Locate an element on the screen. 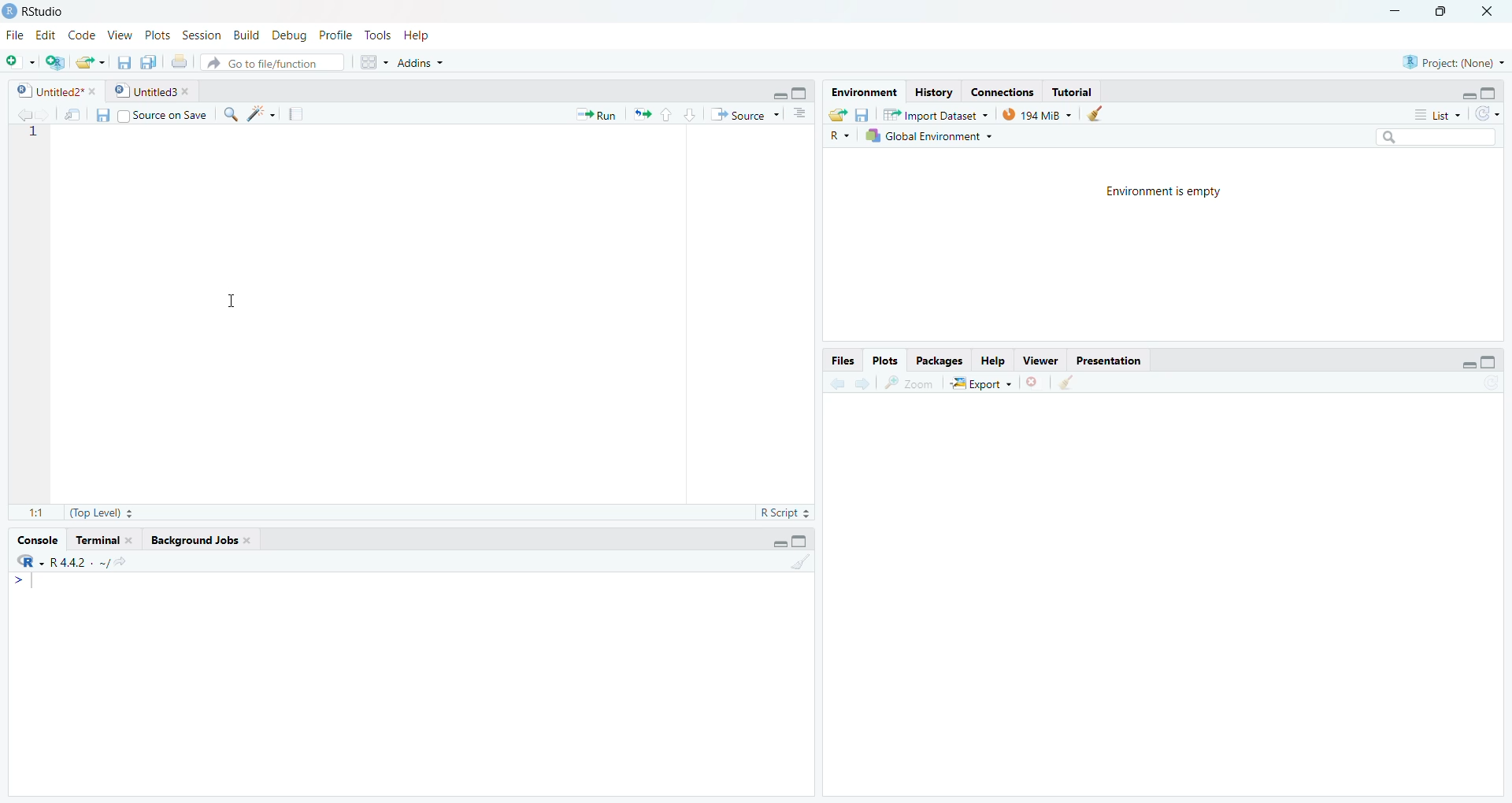 This screenshot has height=803, width=1512. Maximize is located at coordinates (1440, 12).